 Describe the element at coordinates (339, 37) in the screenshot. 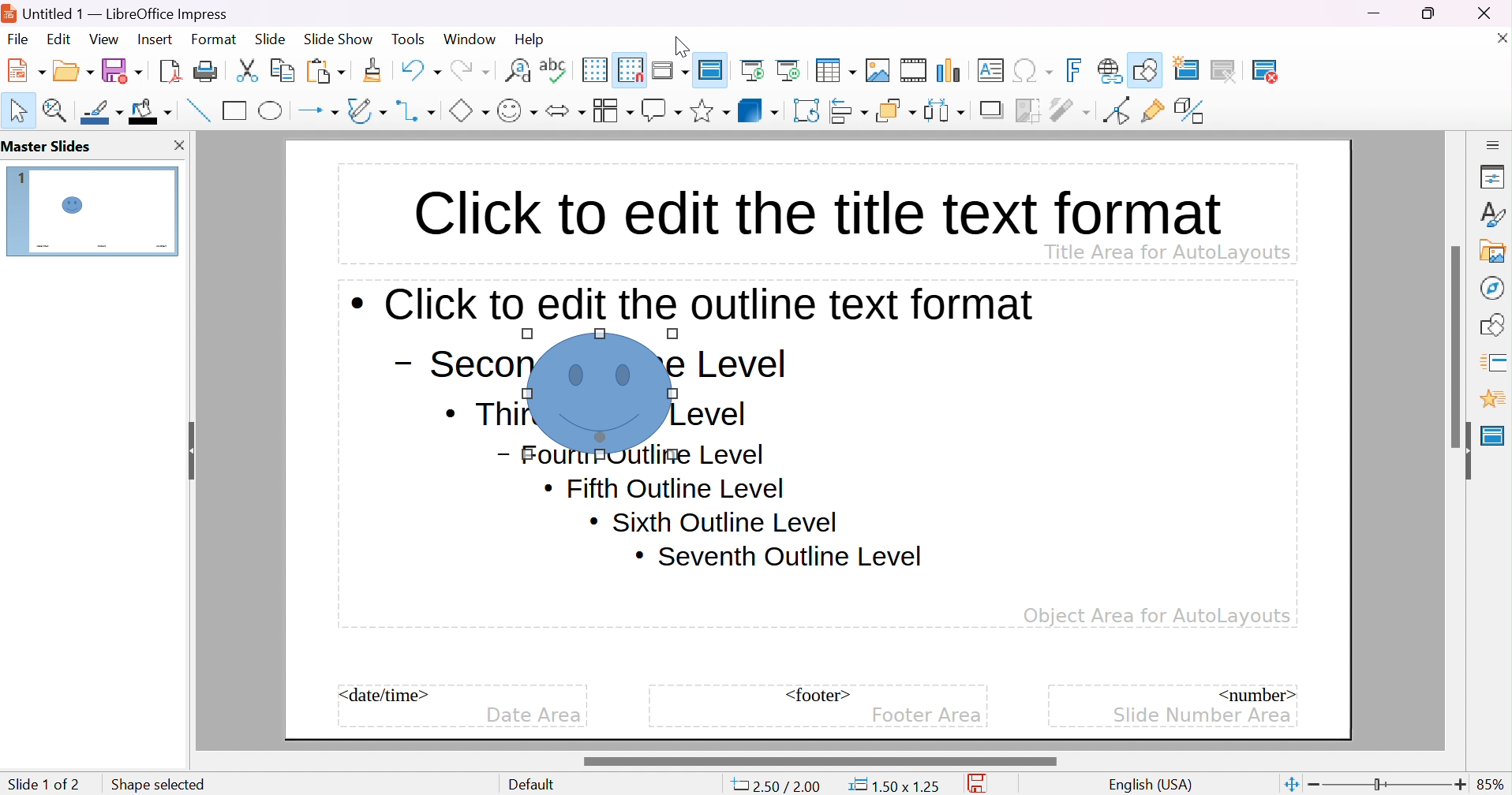

I see `slide show` at that location.